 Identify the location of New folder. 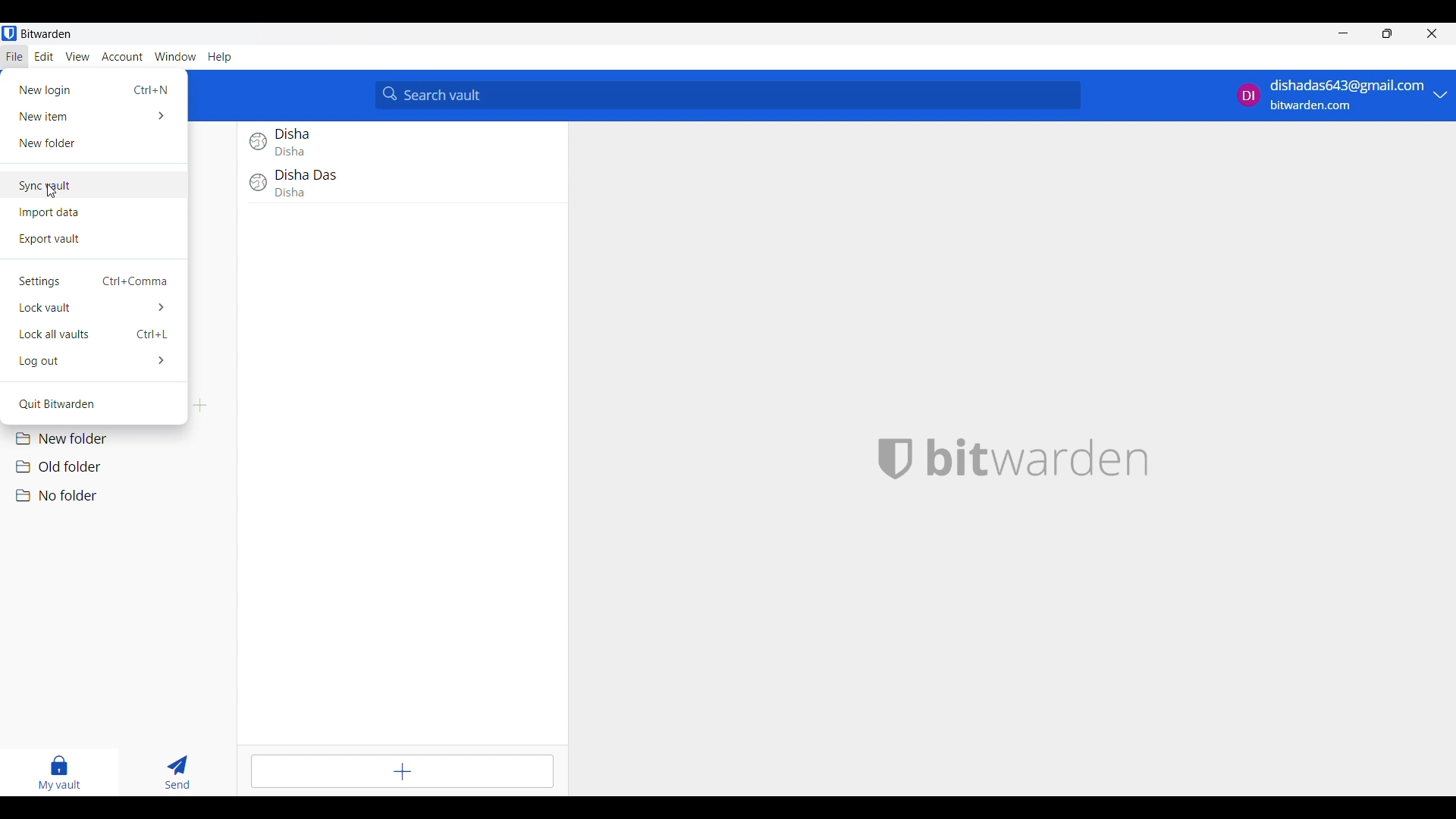
(93, 143).